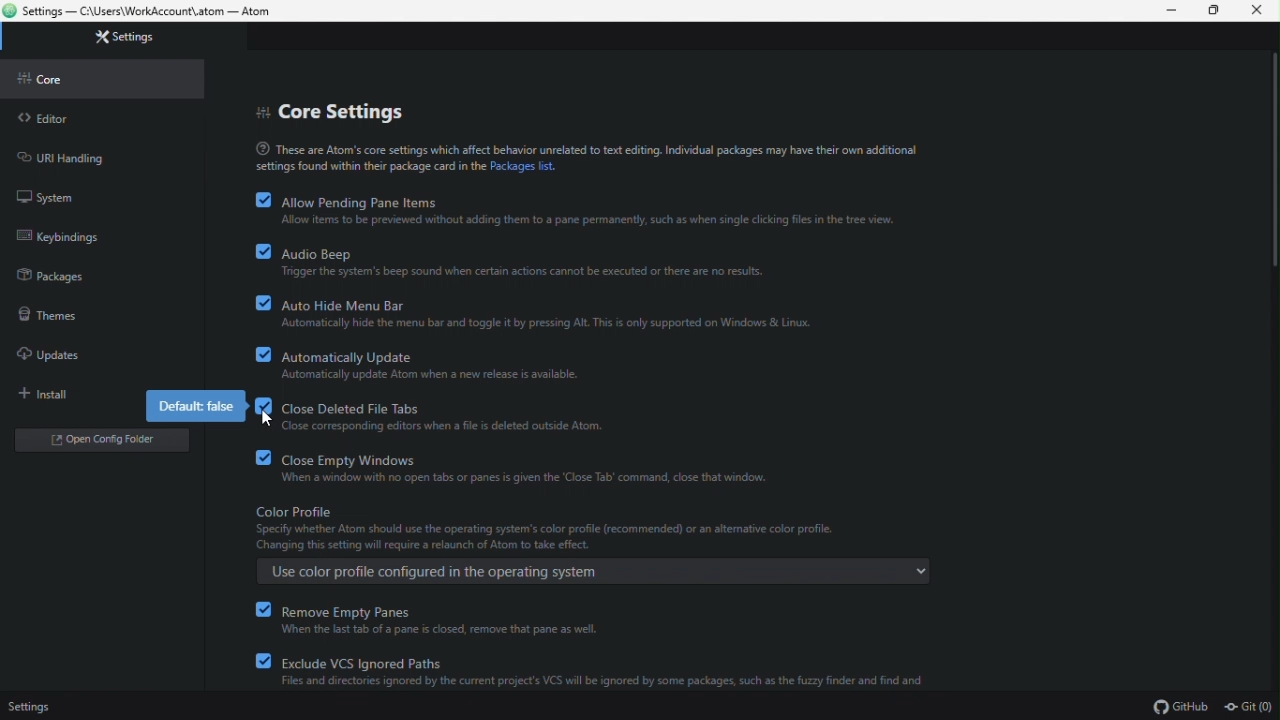 The image size is (1280, 720). What do you see at coordinates (531, 261) in the screenshot?
I see `audio beep` at bounding box center [531, 261].